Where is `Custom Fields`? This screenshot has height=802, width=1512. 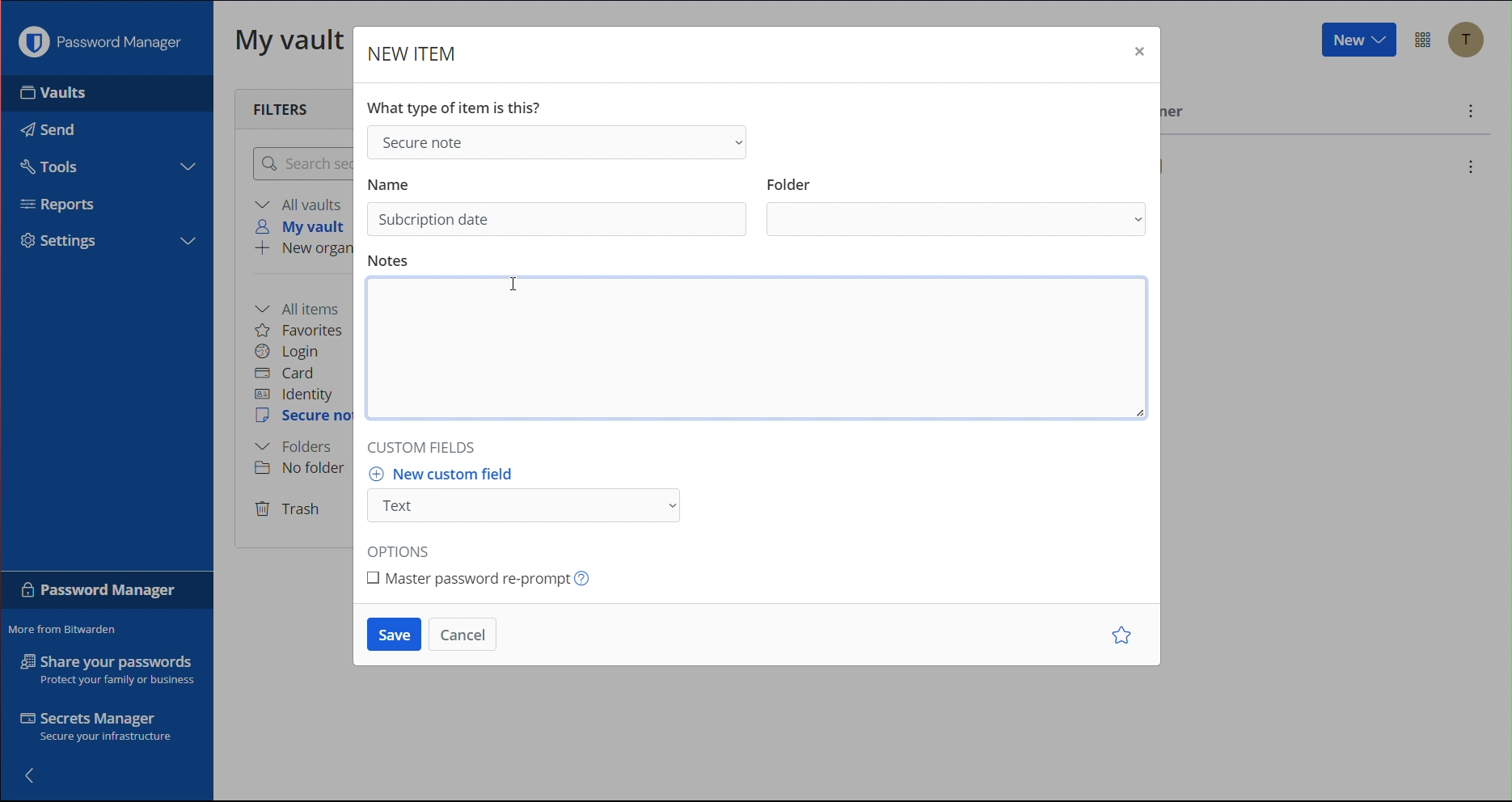
Custom Fields is located at coordinates (426, 443).